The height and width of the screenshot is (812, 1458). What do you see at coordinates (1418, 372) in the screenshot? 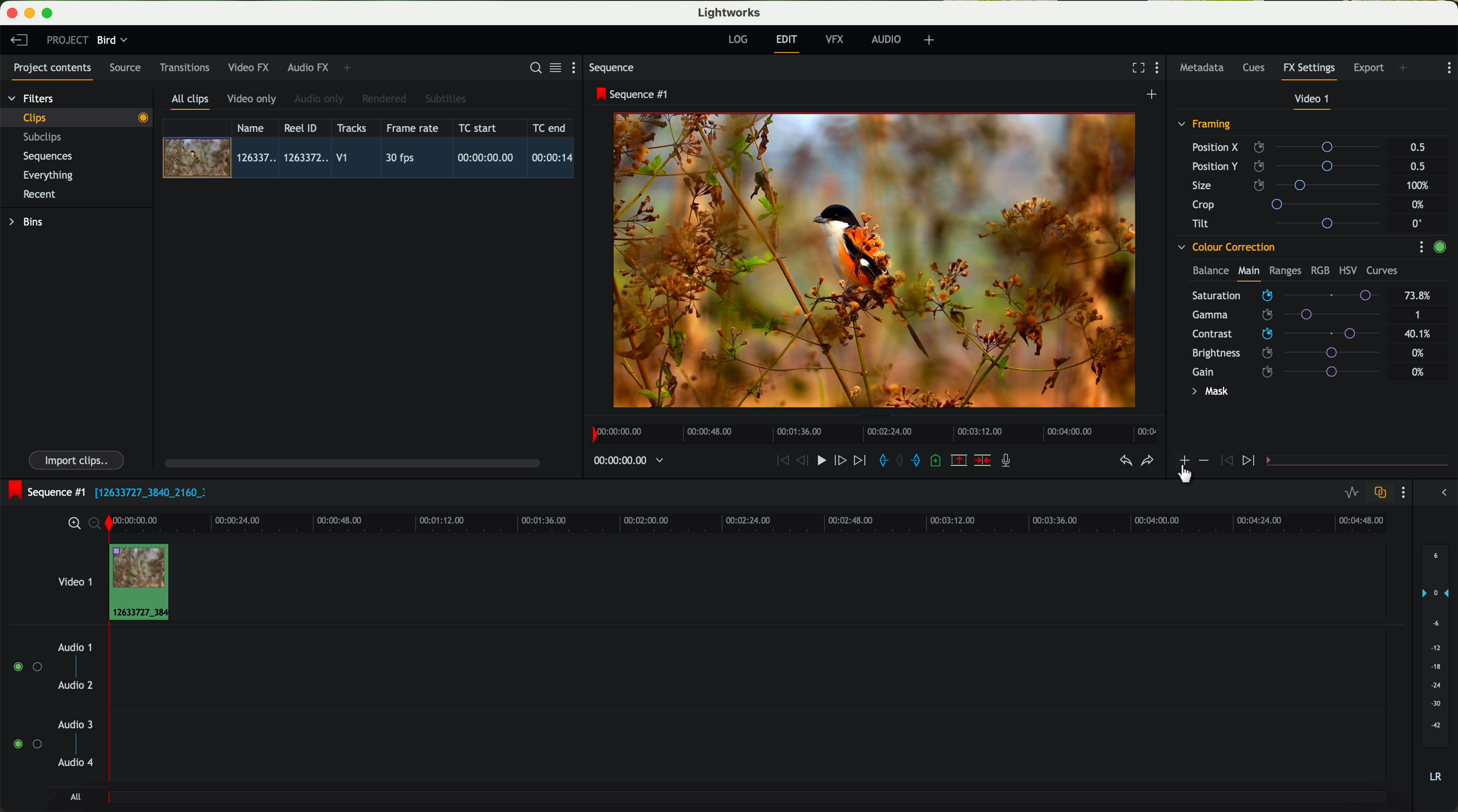
I see `0%` at bounding box center [1418, 372].